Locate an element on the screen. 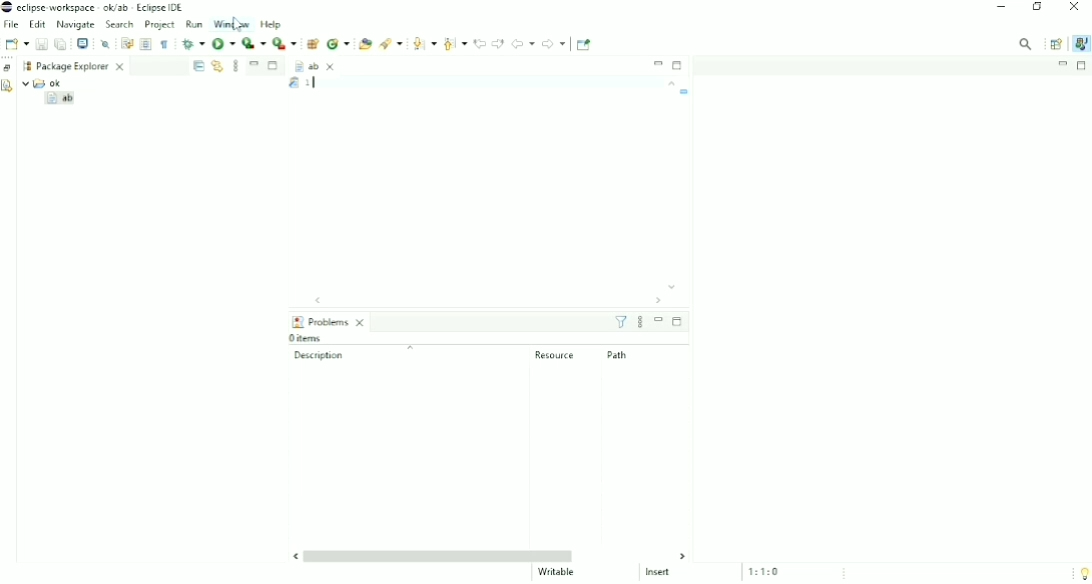 The image size is (1092, 584). Restore down is located at coordinates (1039, 8).